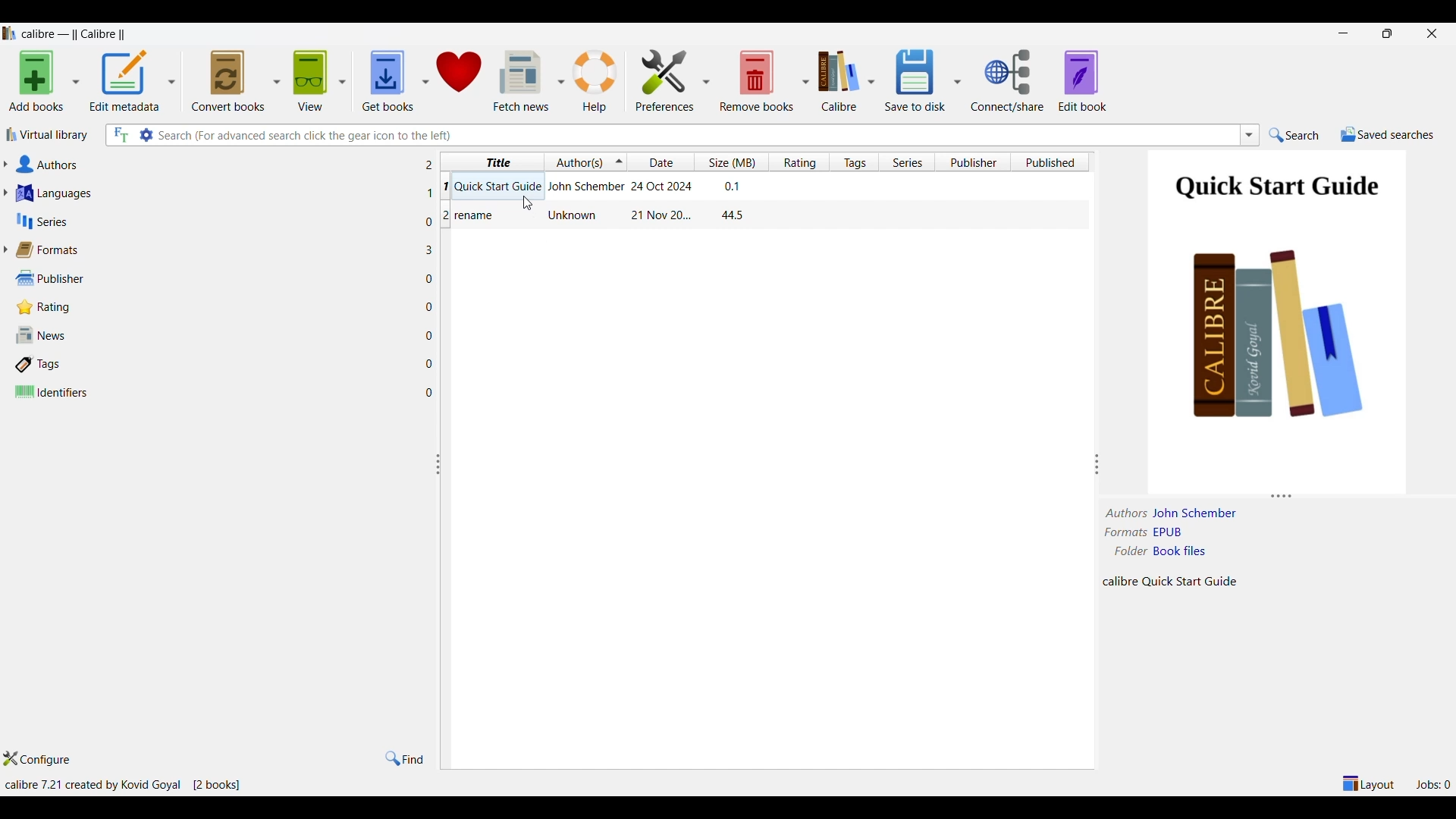 Image resolution: width=1456 pixels, height=819 pixels. Describe the element at coordinates (597, 185) in the screenshot. I see `Book: Quick Start Guide` at that location.